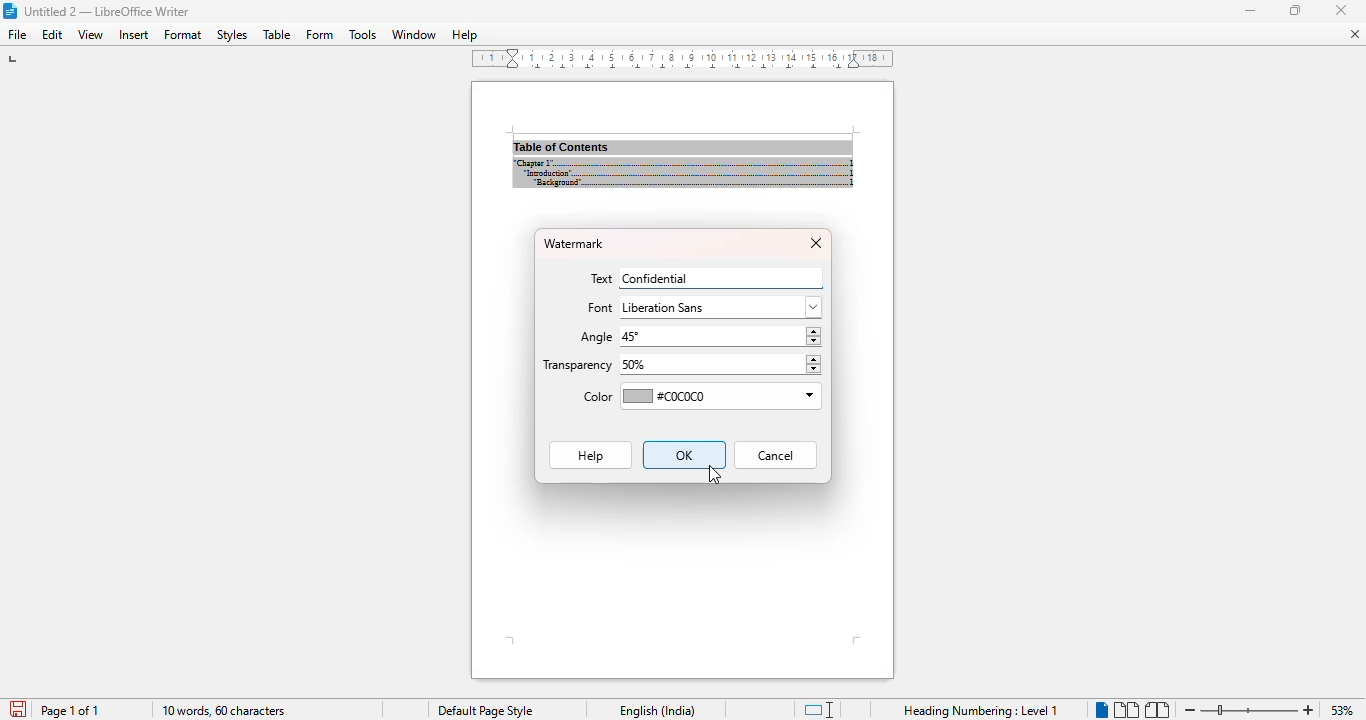 The width and height of the screenshot is (1366, 720). What do you see at coordinates (1297, 11) in the screenshot?
I see `maximize` at bounding box center [1297, 11].